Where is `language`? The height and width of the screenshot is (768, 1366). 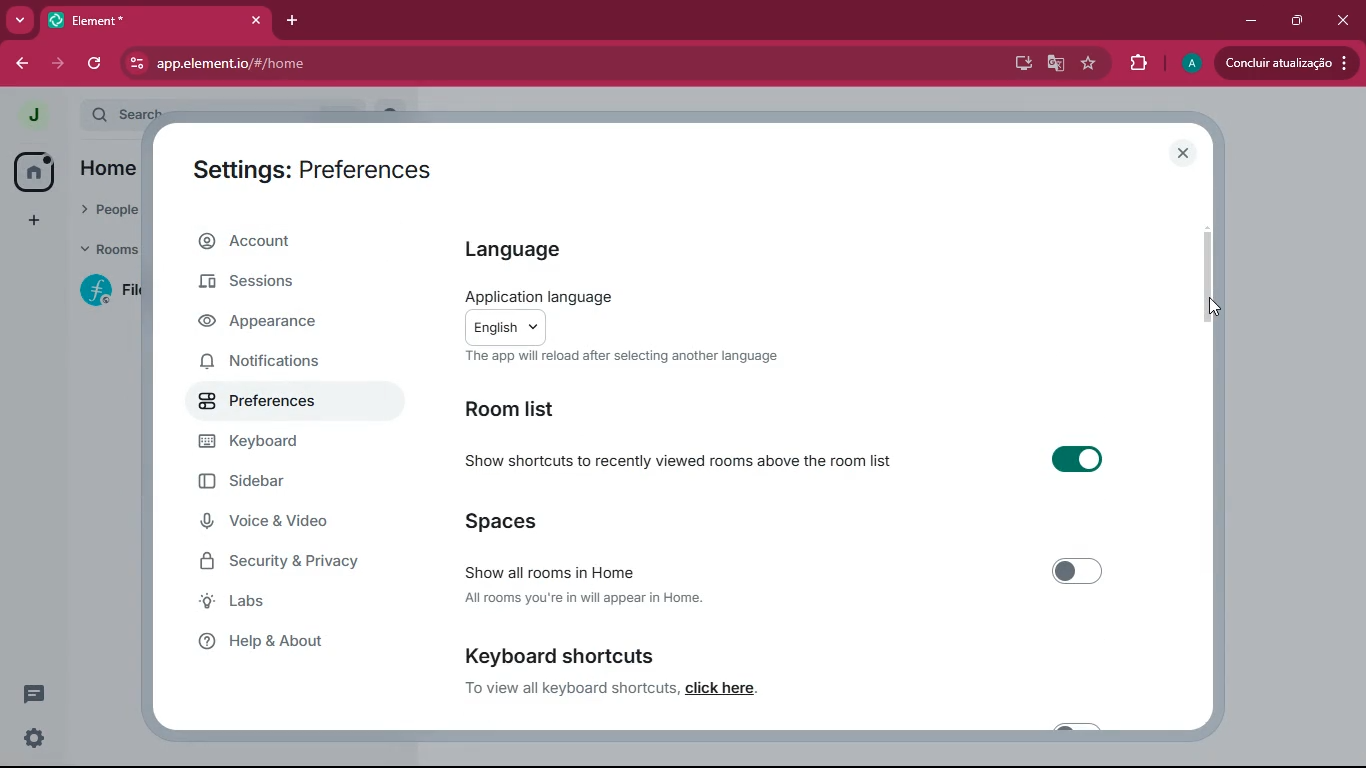 language is located at coordinates (526, 251).